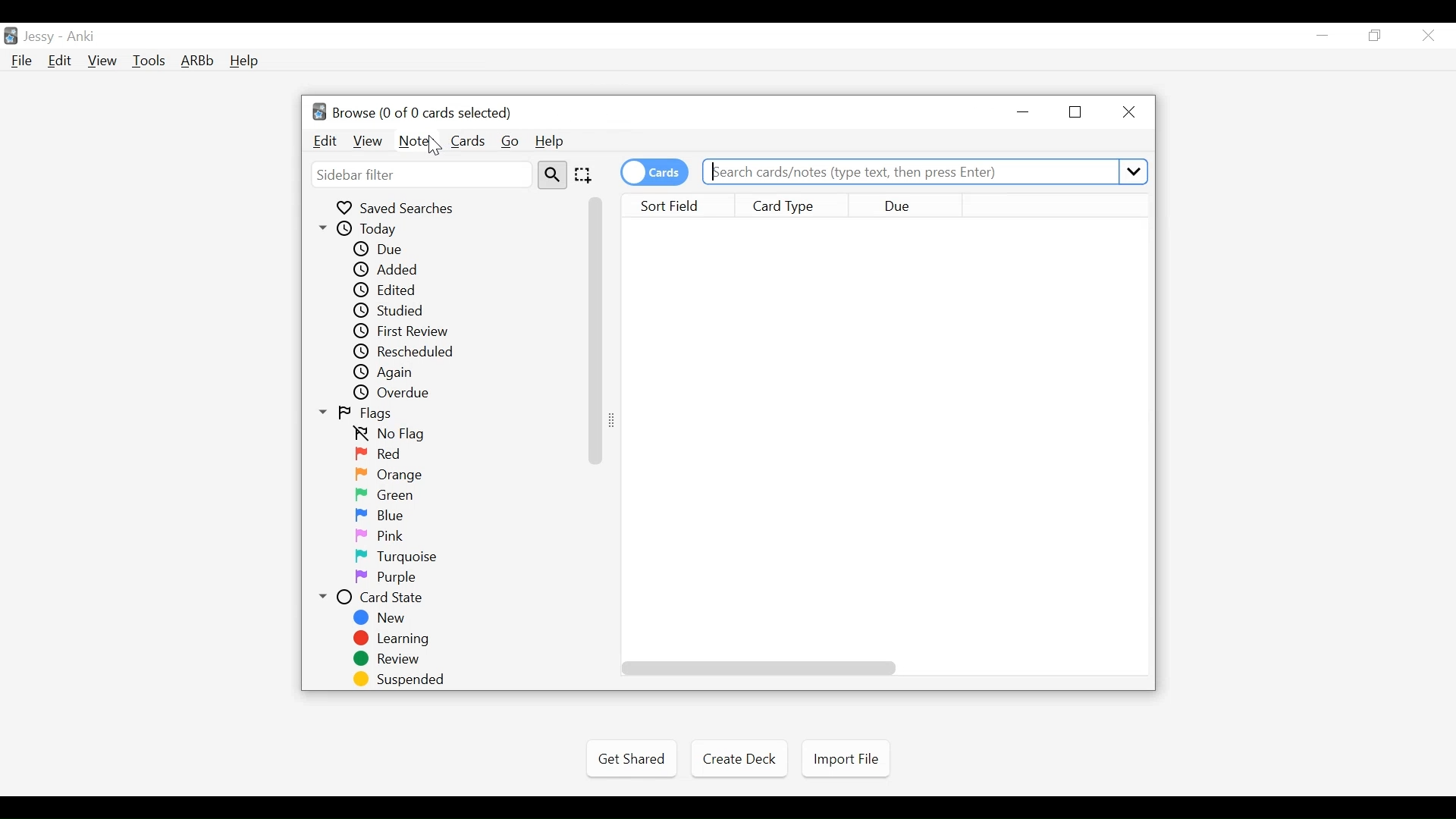  I want to click on Restore, so click(1376, 36).